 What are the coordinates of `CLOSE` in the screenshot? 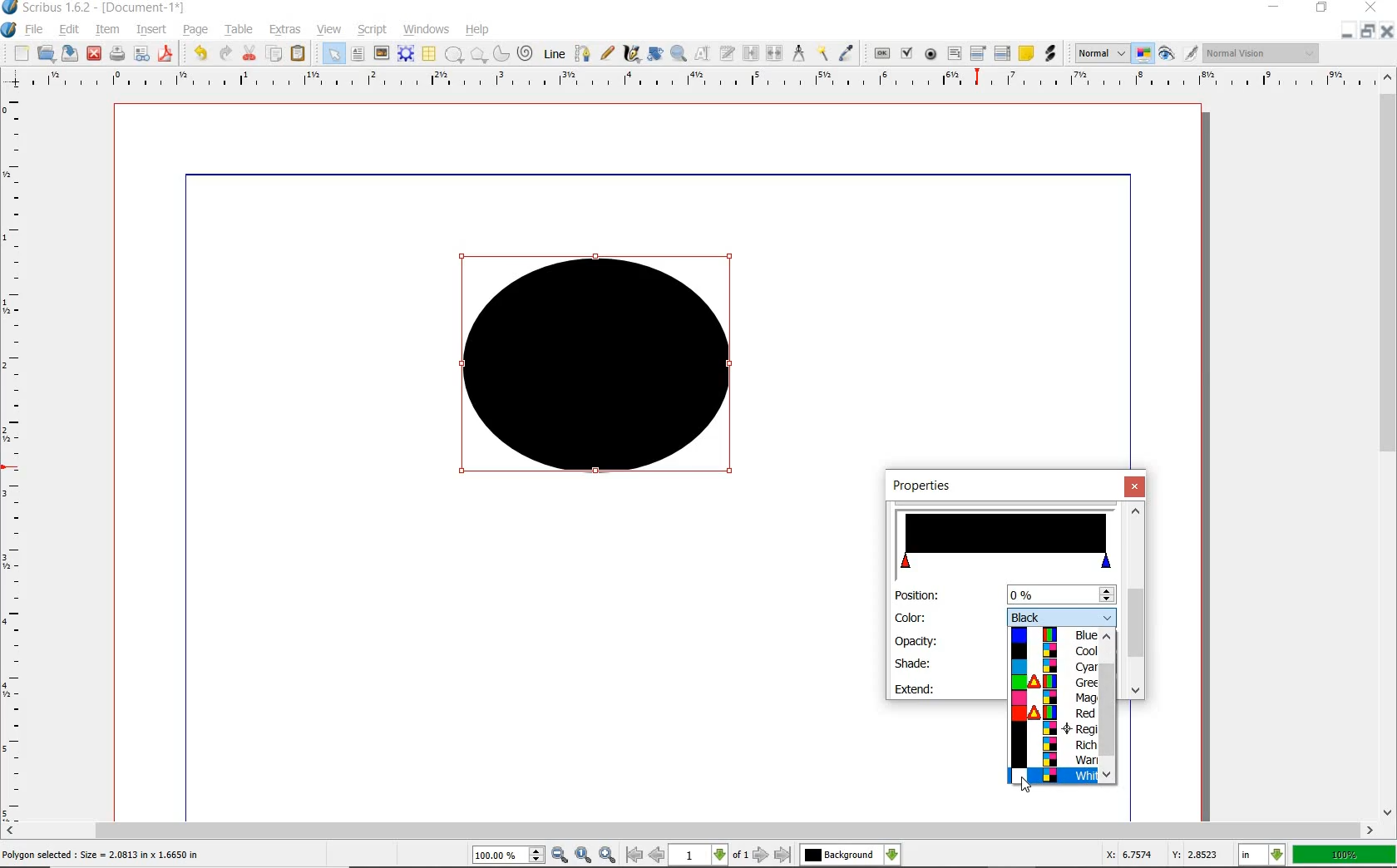 It's located at (94, 54).